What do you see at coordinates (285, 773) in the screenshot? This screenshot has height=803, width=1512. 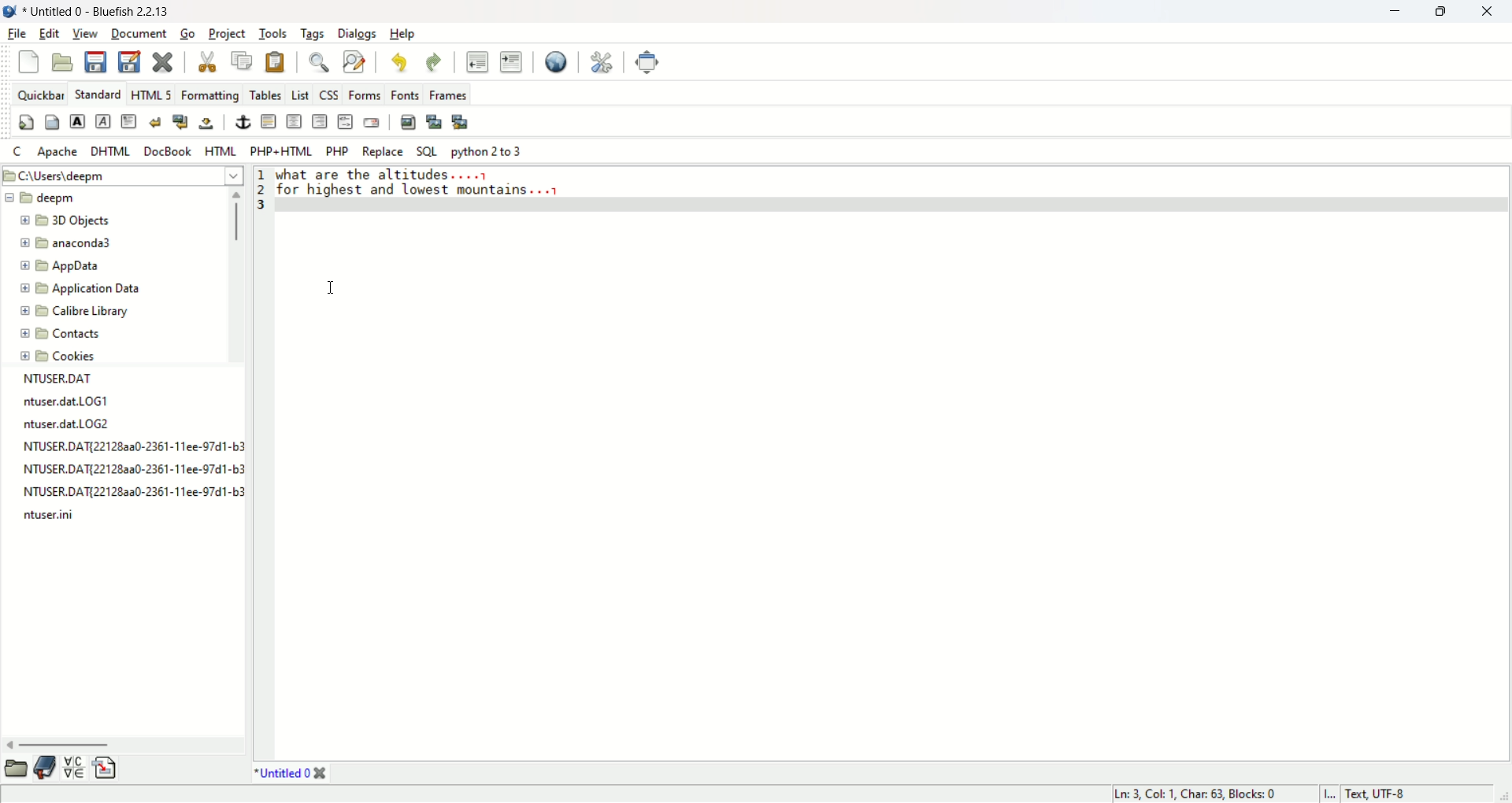 I see `title` at bounding box center [285, 773].